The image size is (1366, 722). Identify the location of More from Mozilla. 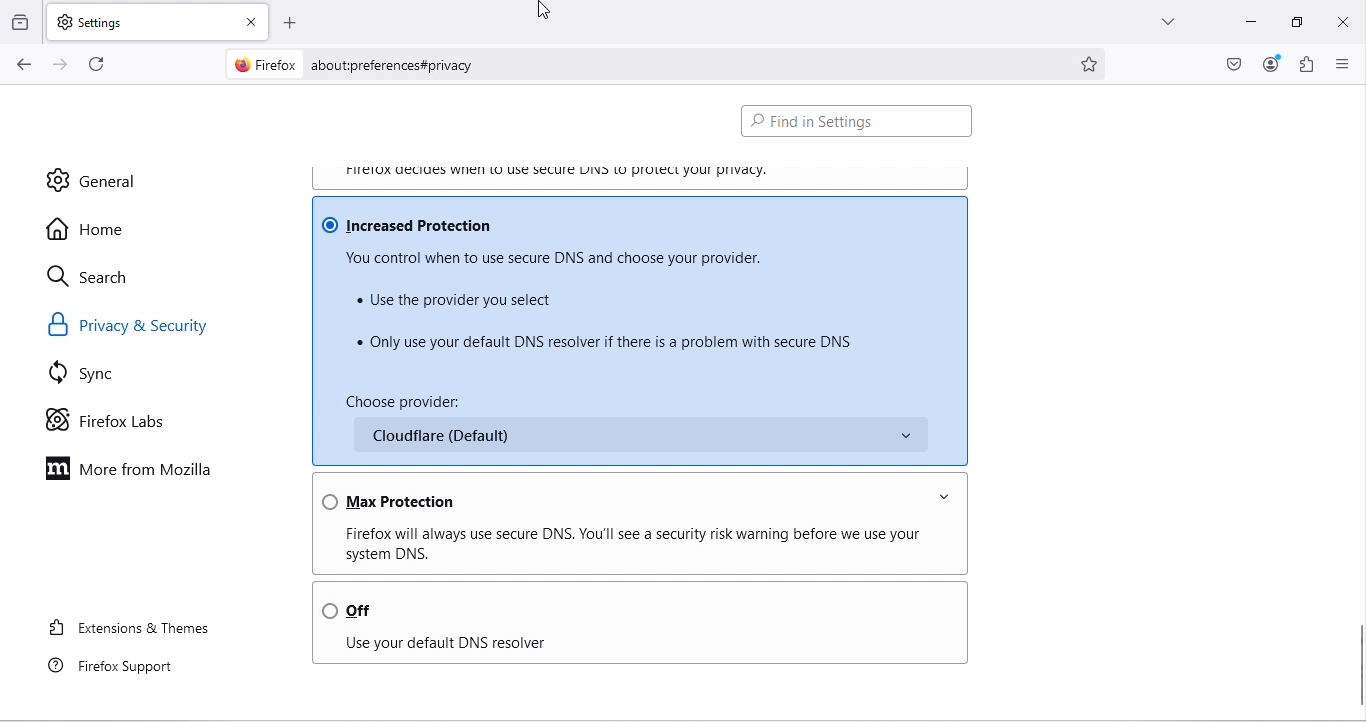
(132, 470).